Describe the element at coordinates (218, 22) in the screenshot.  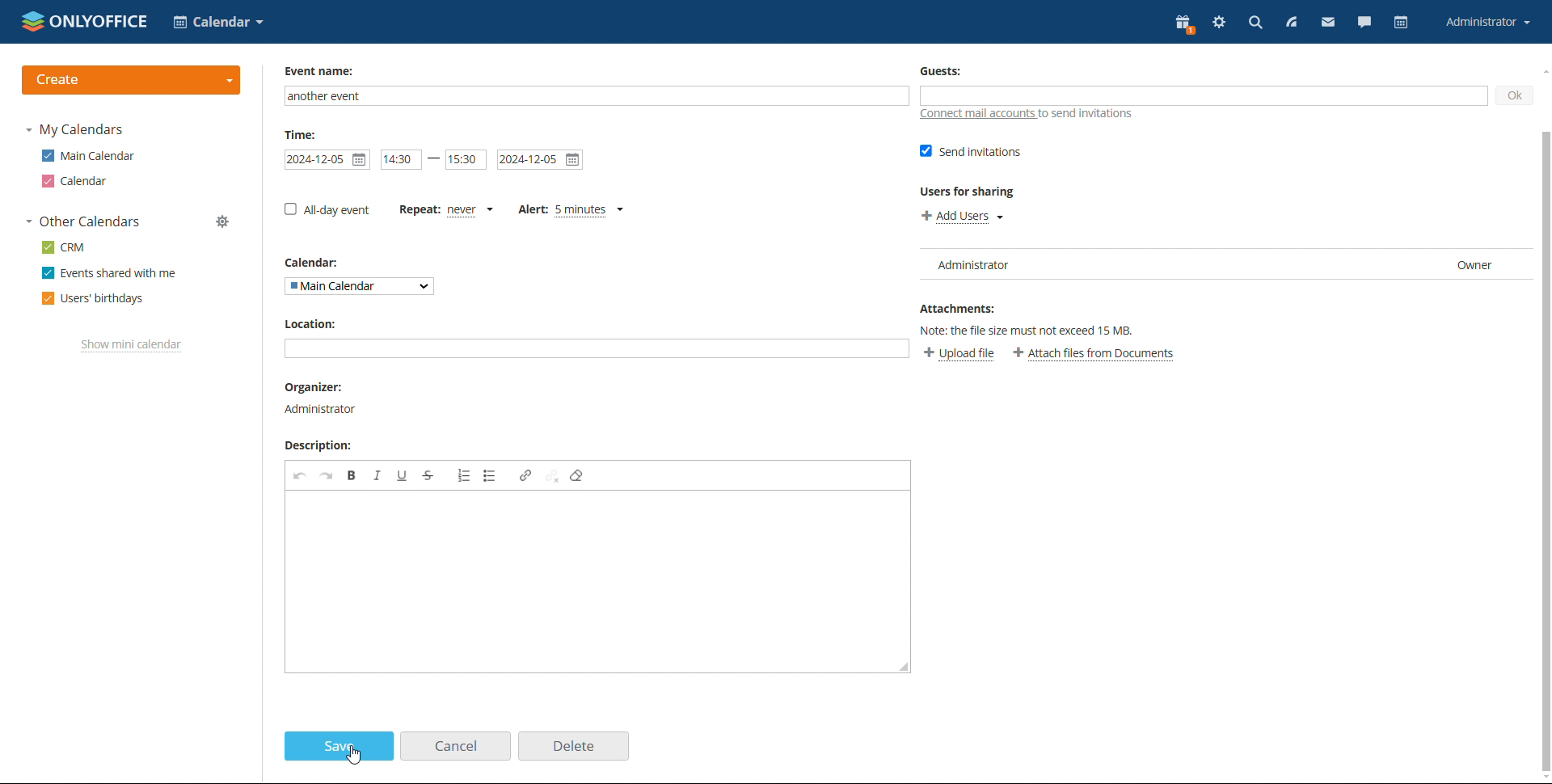
I see `select calendar` at that location.